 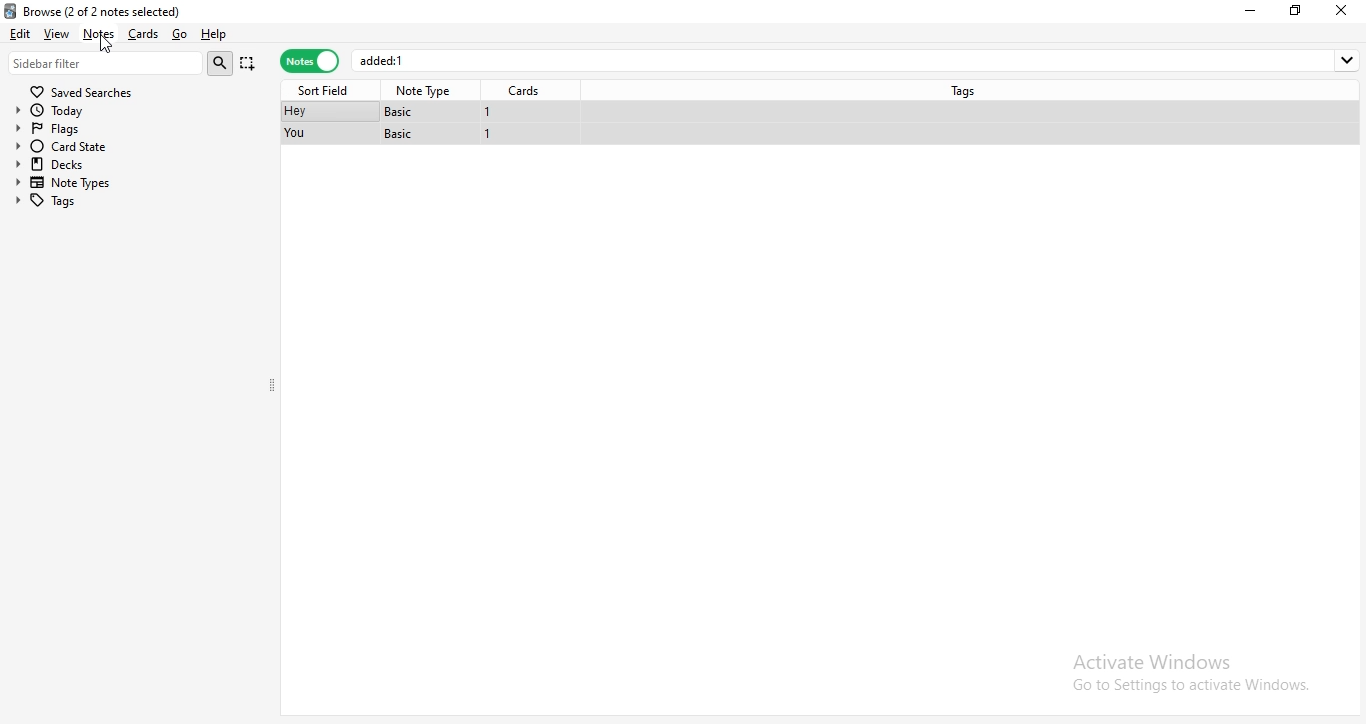 I want to click on edit, so click(x=19, y=32).